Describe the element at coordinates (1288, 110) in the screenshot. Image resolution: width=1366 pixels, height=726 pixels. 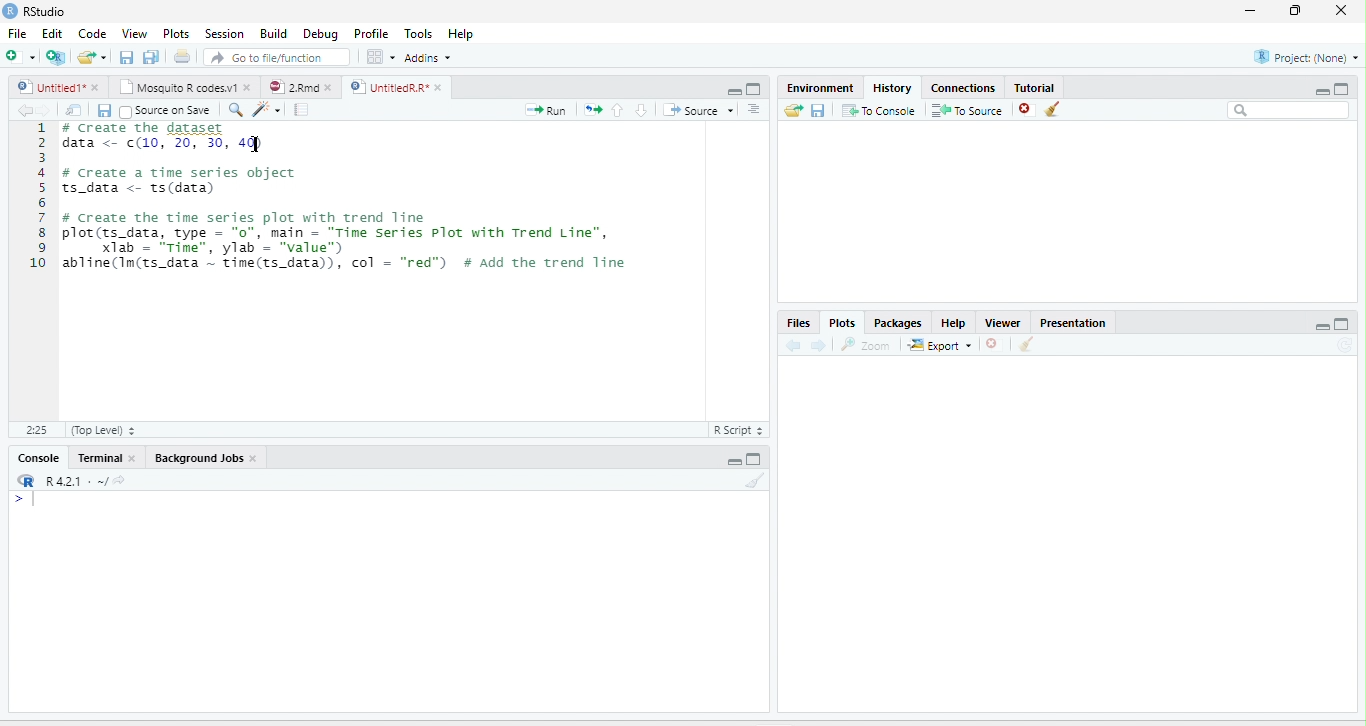
I see `Search bar` at that location.